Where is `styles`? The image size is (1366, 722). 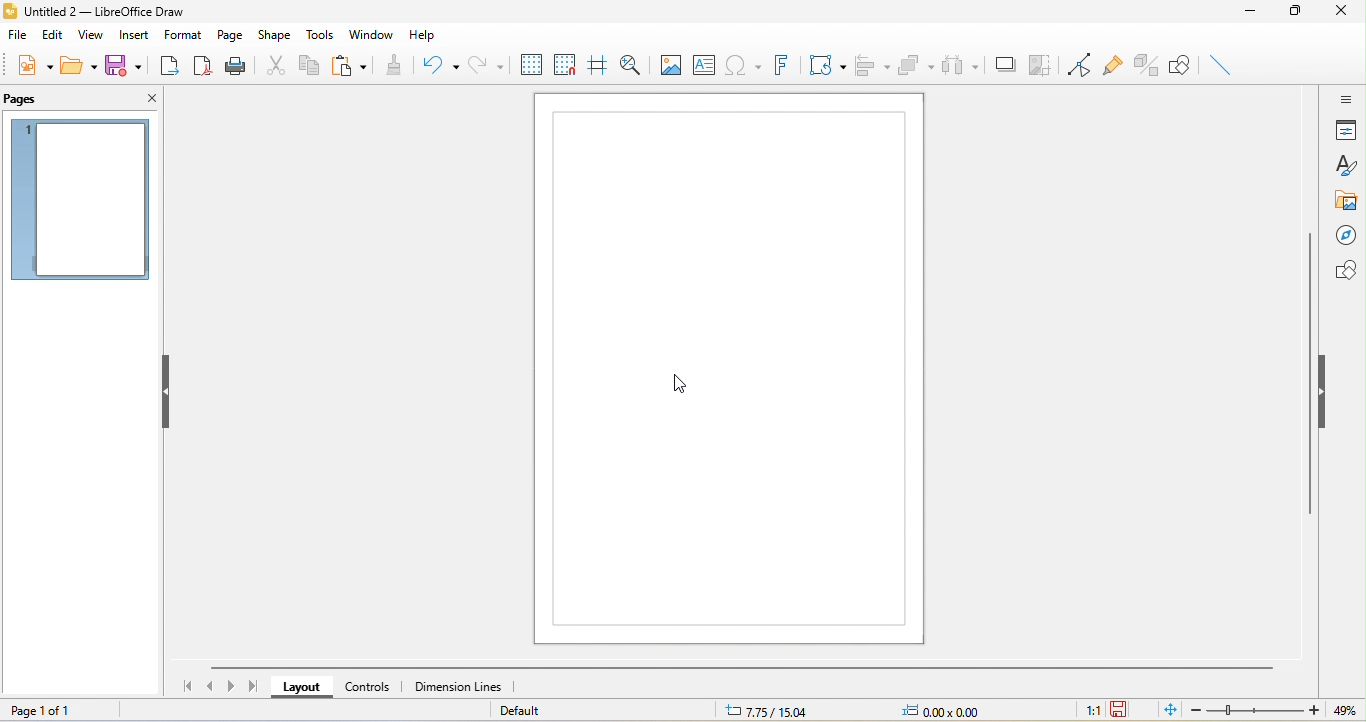
styles is located at coordinates (1347, 166).